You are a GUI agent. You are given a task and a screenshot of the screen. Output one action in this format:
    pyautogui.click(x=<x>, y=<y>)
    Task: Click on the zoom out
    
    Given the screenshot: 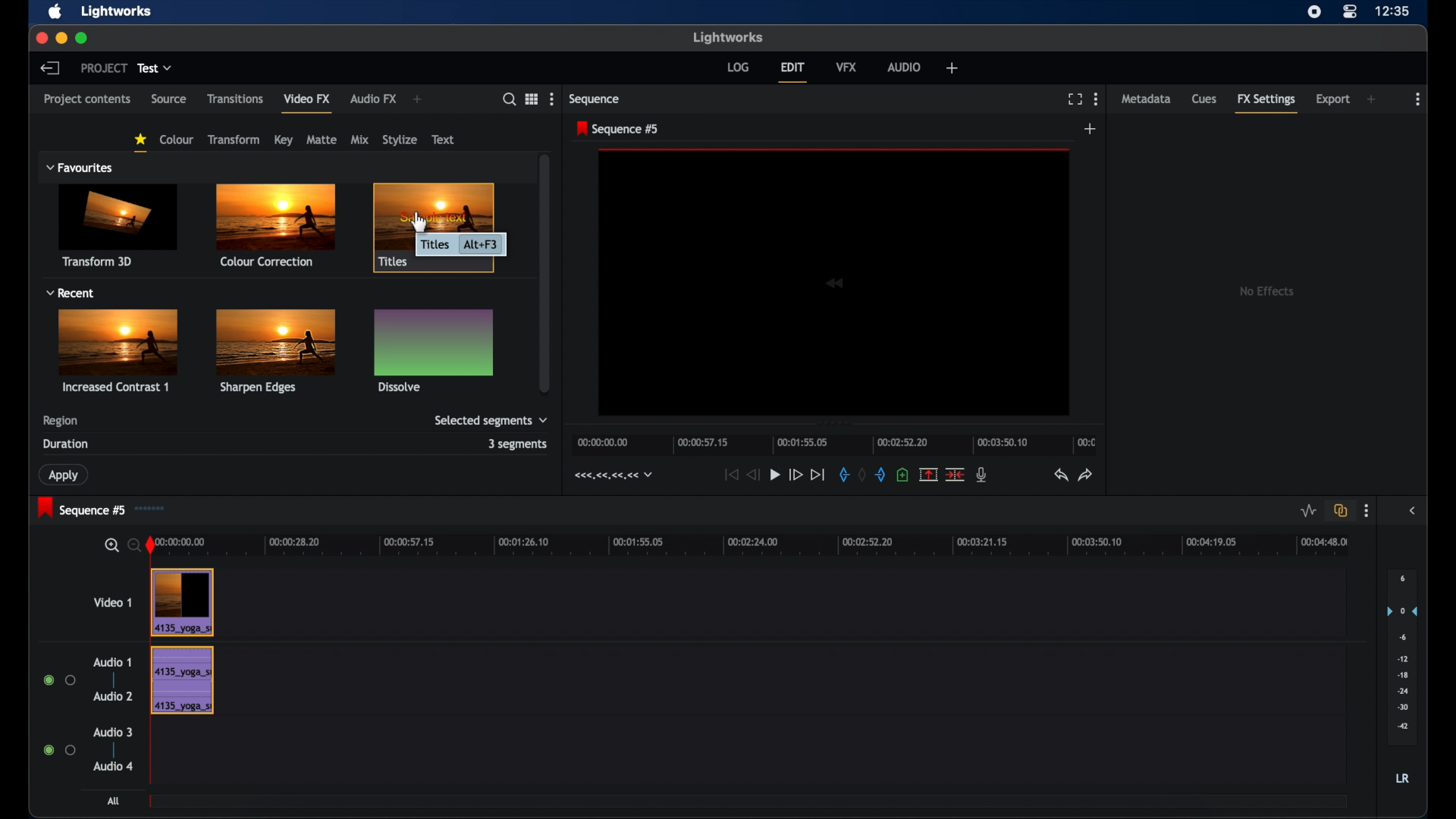 What is the action you would take?
    pyautogui.click(x=133, y=544)
    